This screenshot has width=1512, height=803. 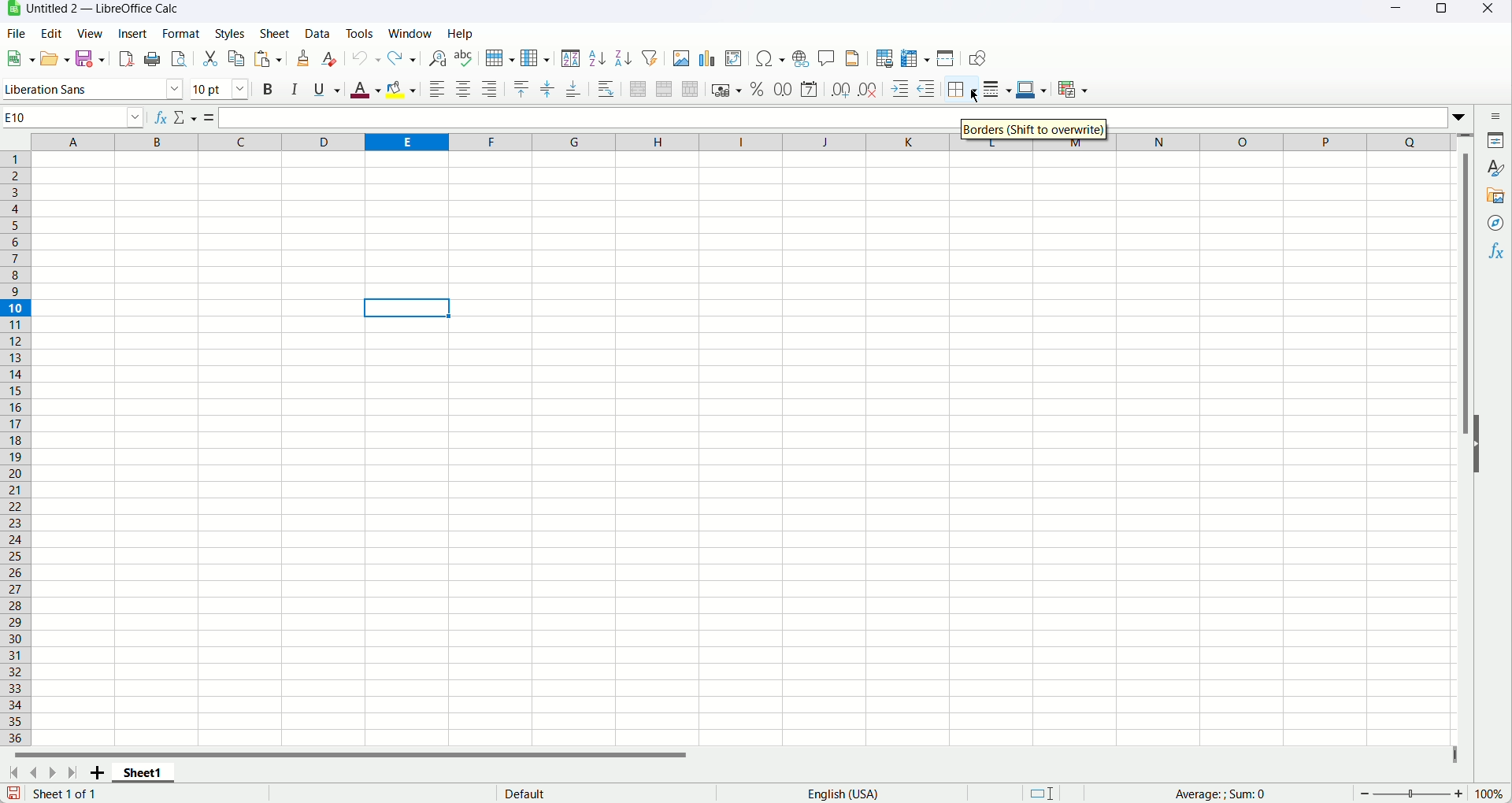 I want to click on Print, so click(x=154, y=58).